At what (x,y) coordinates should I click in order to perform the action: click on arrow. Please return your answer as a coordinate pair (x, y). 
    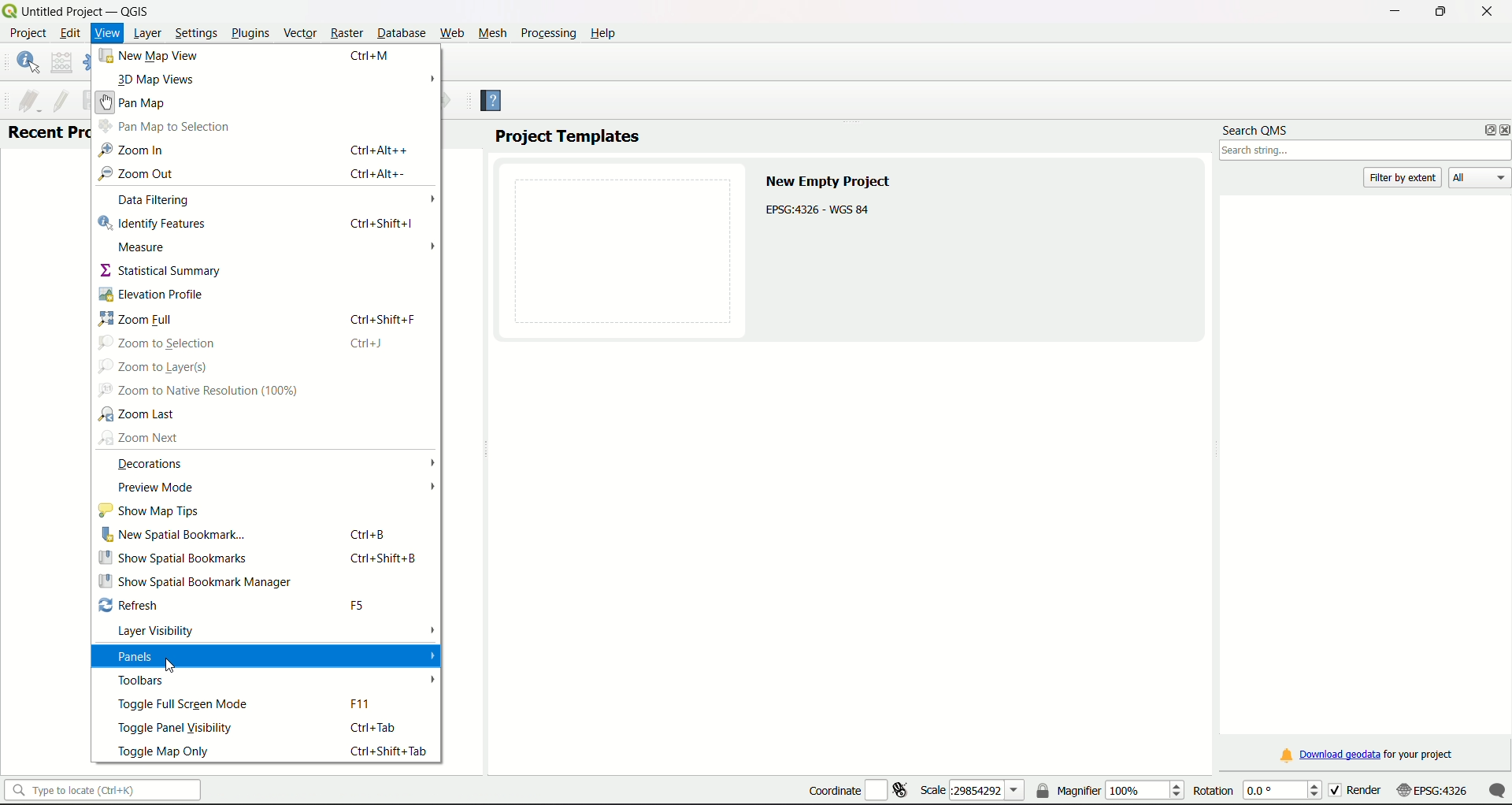
    Looking at the image, I should click on (429, 487).